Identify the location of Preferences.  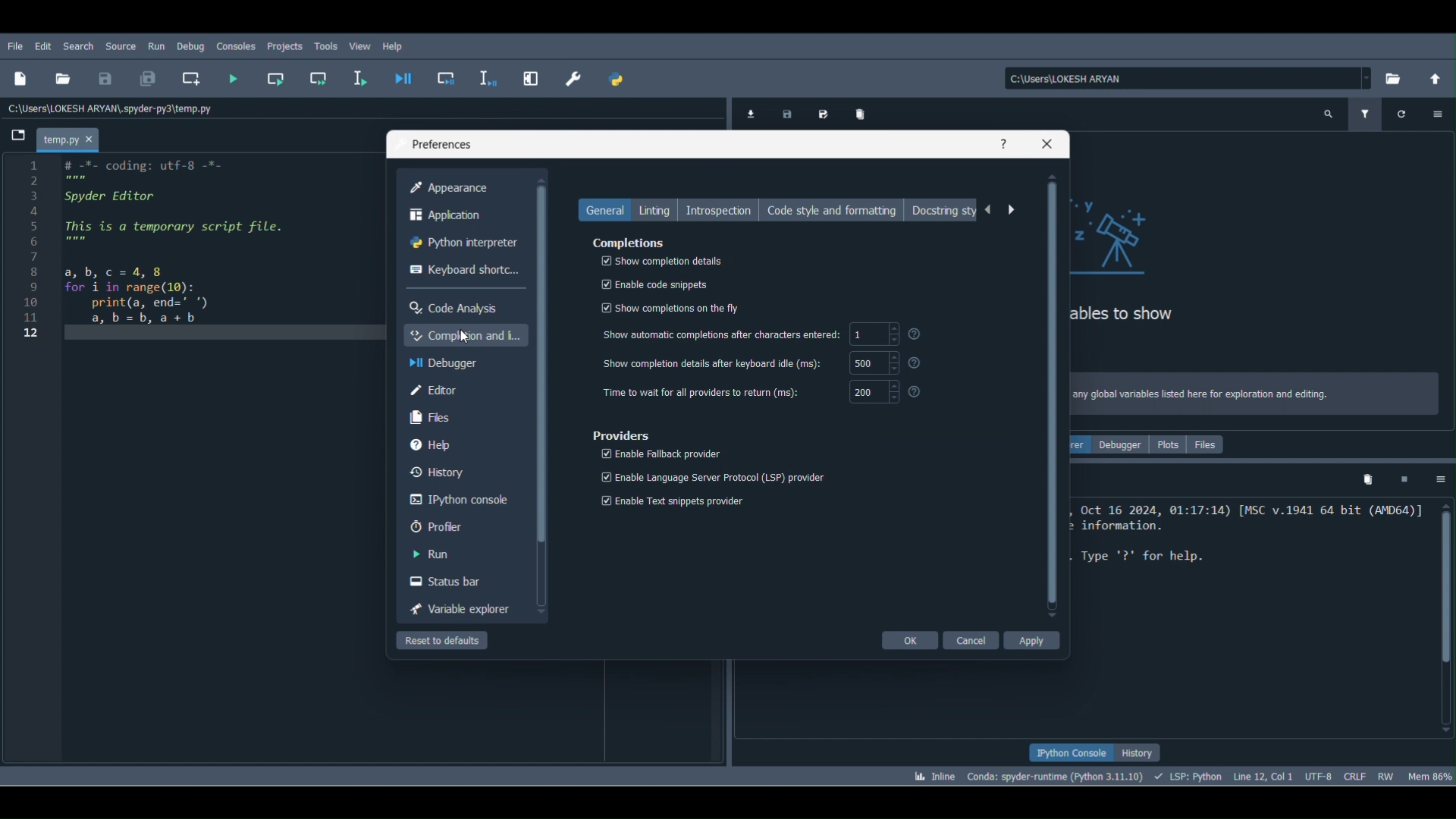
(573, 80).